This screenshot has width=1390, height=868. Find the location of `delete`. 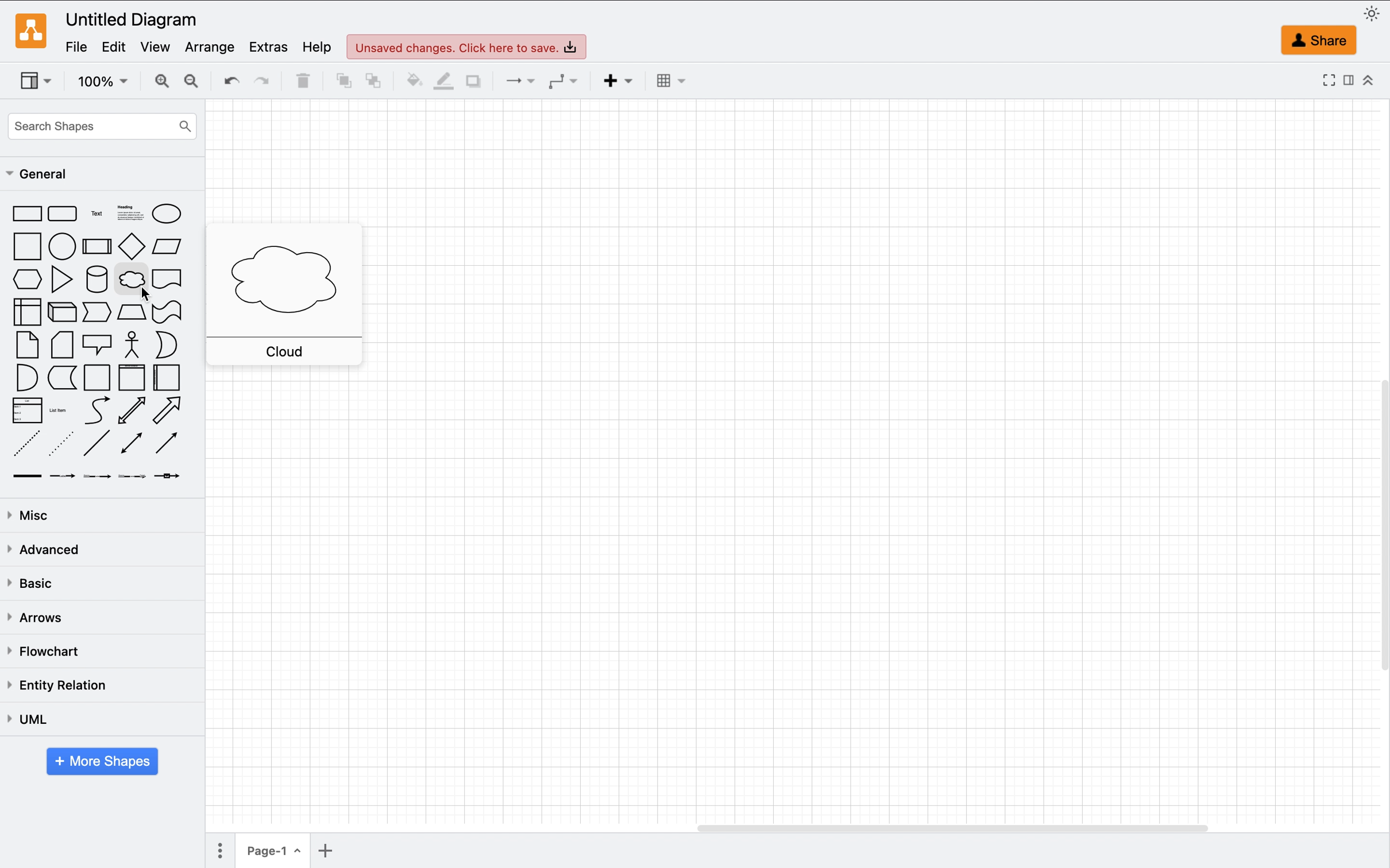

delete is located at coordinates (300, 82).